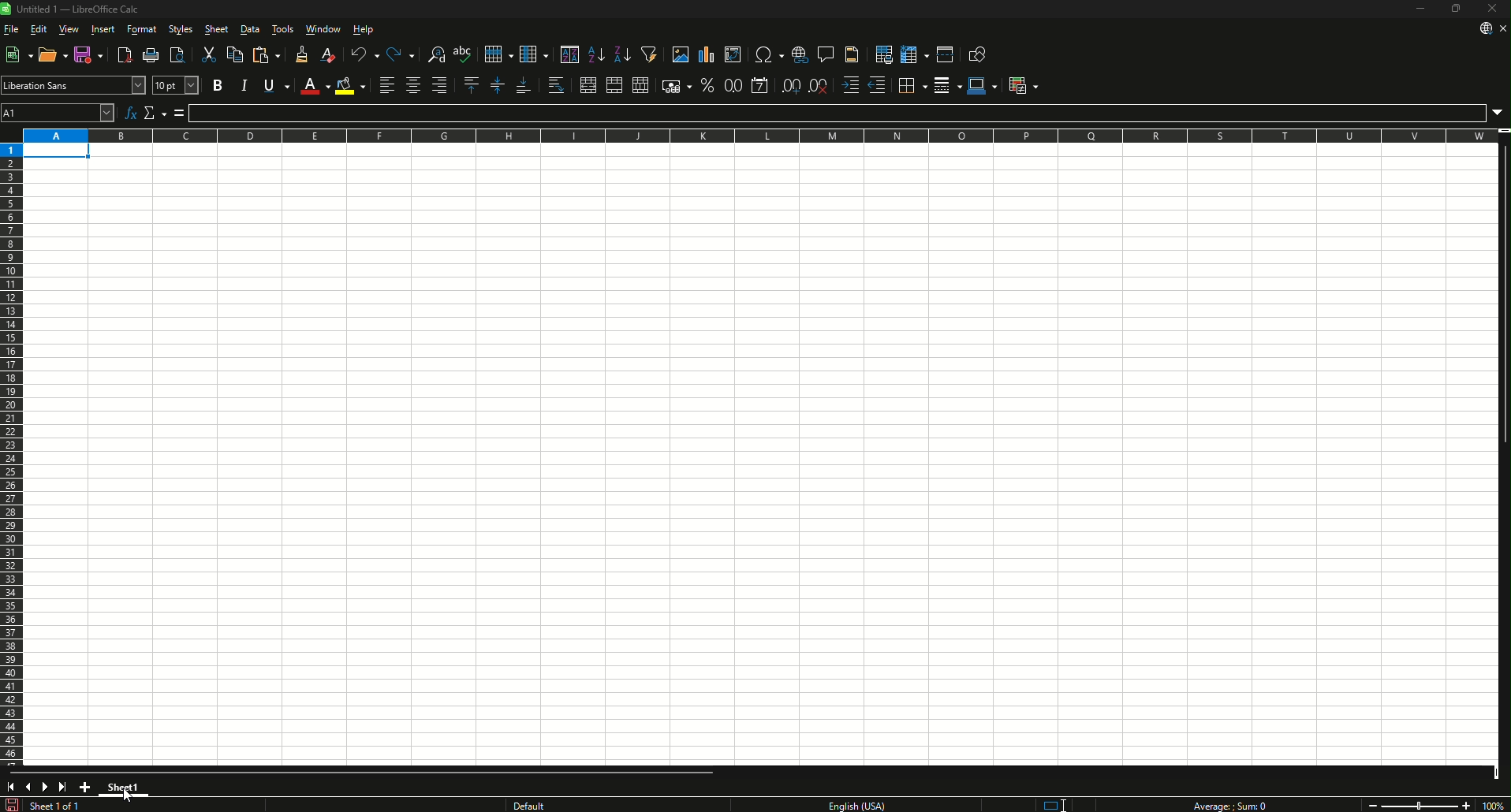 The width and height of the screenshot is (1511, 812). What do you see at coordinates (177, 54) in the screenshot?
I see `Toggle Print Preview` at bounding box center [177, 54].